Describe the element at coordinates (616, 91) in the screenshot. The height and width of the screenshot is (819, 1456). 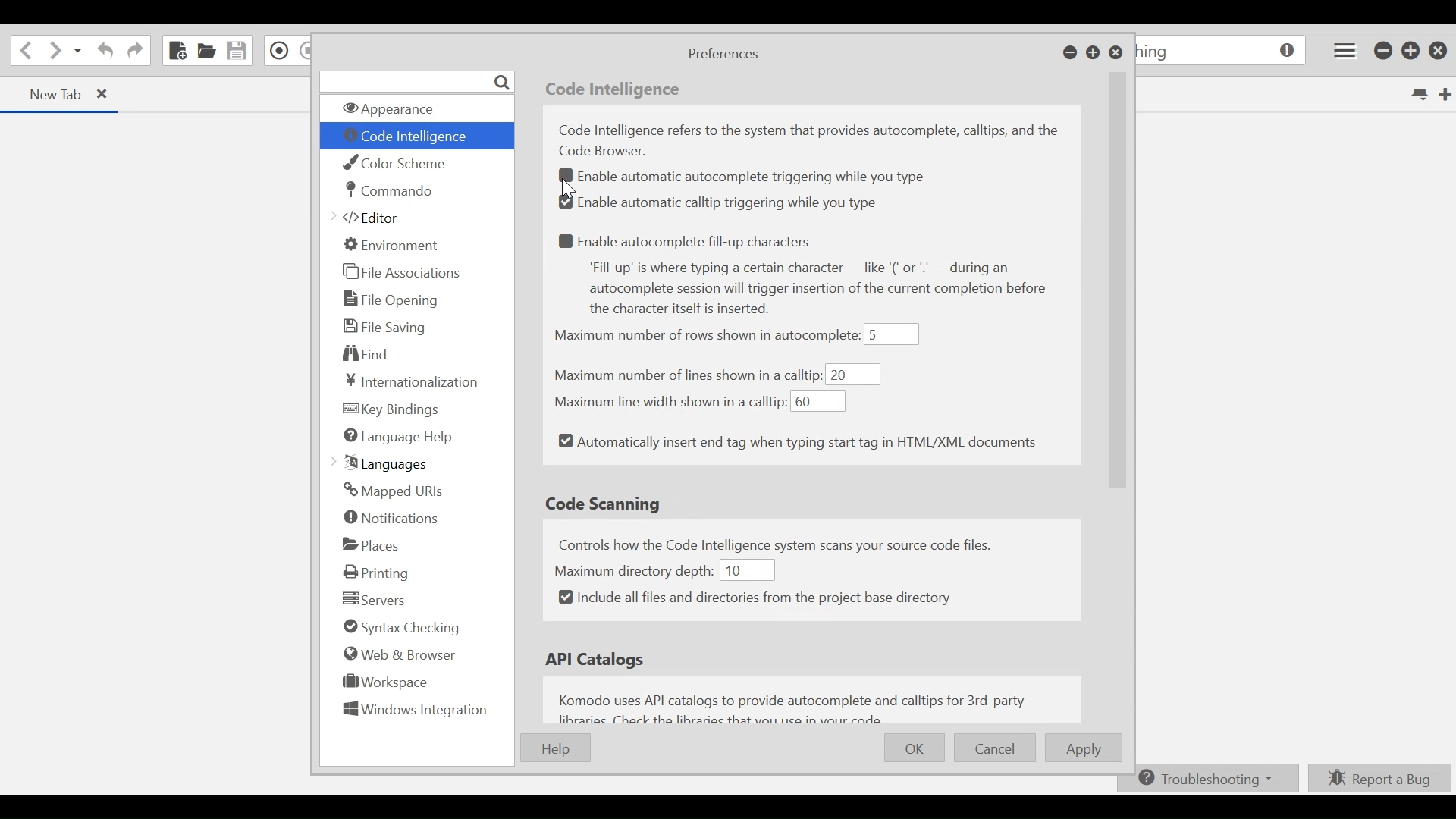
I see `Code Intelligence` at that location.